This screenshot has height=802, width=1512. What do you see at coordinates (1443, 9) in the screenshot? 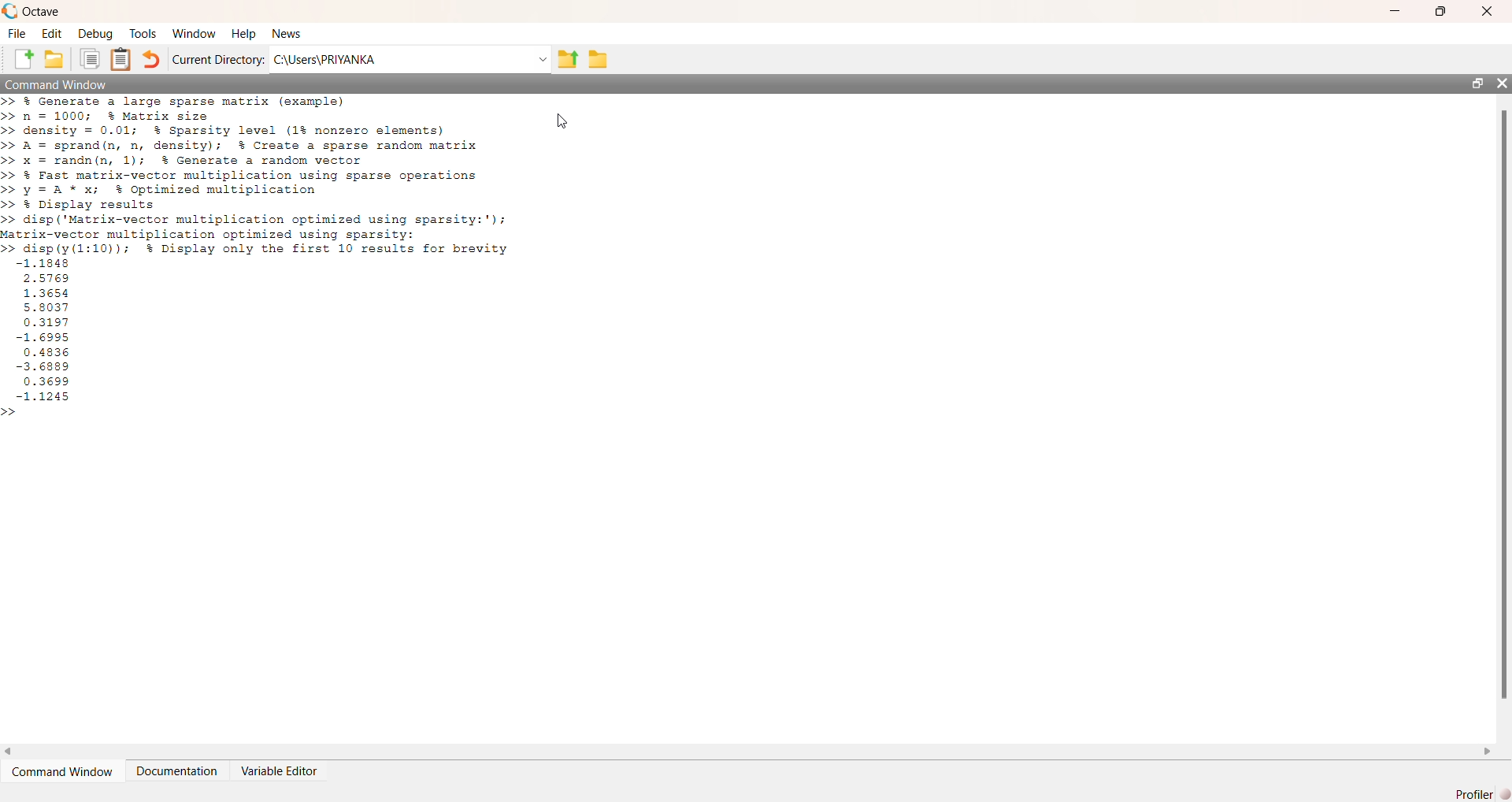
I see `maximize` at bounding box center [1443, 9].